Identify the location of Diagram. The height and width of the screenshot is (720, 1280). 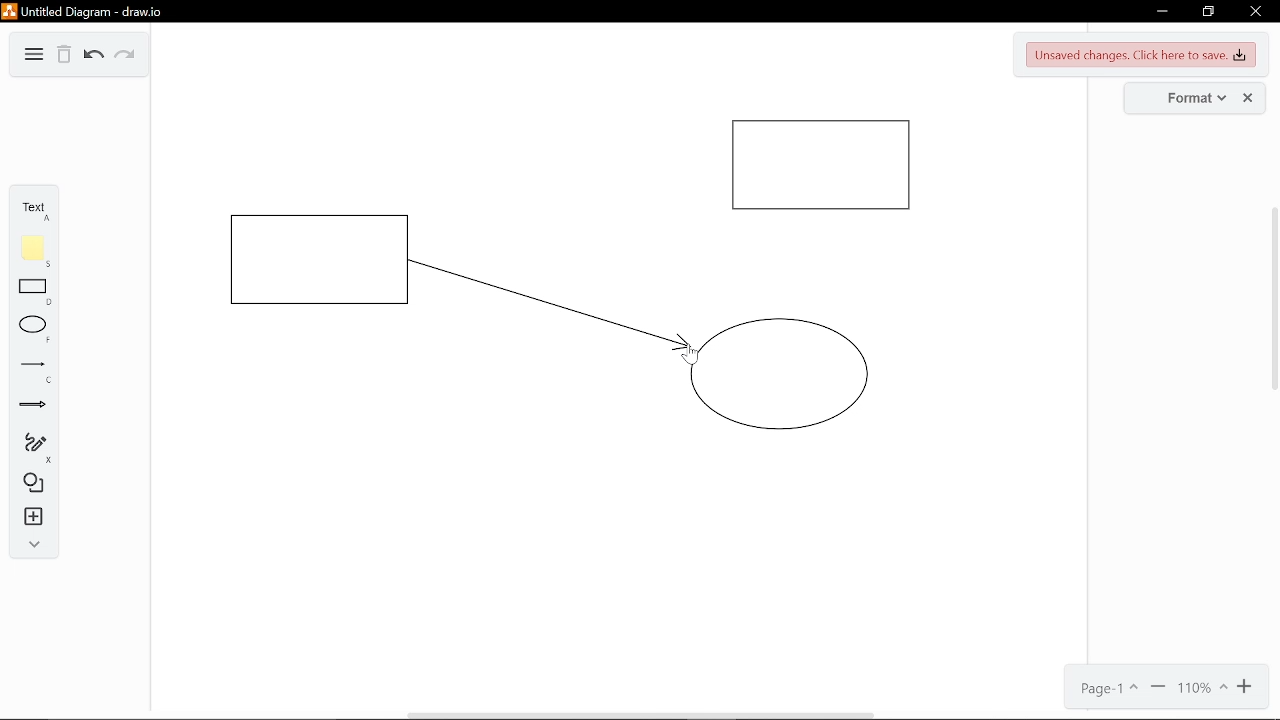
(32, 56).